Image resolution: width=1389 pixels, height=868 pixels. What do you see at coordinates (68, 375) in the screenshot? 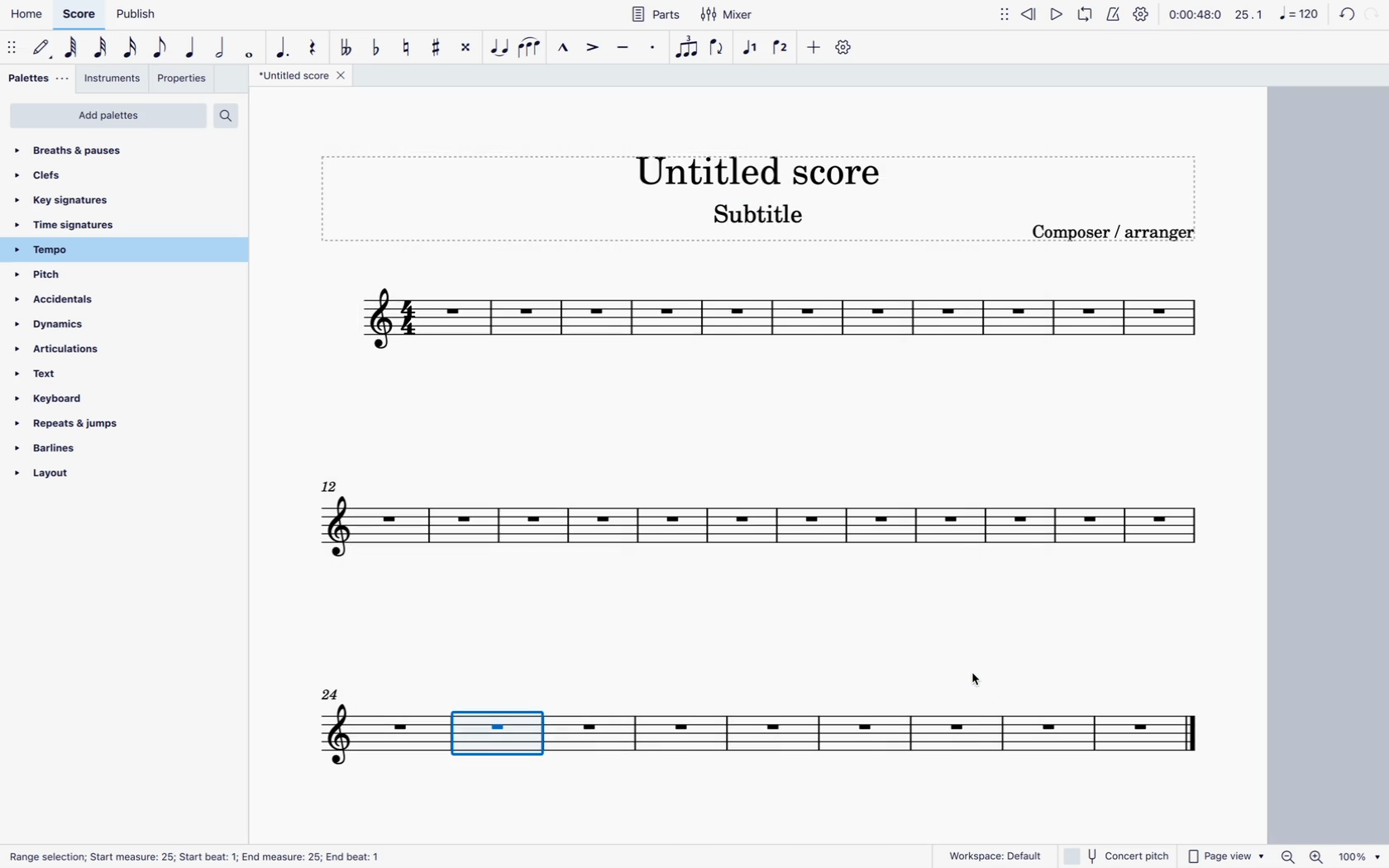
I see `text` at bounding box center [68, 375].